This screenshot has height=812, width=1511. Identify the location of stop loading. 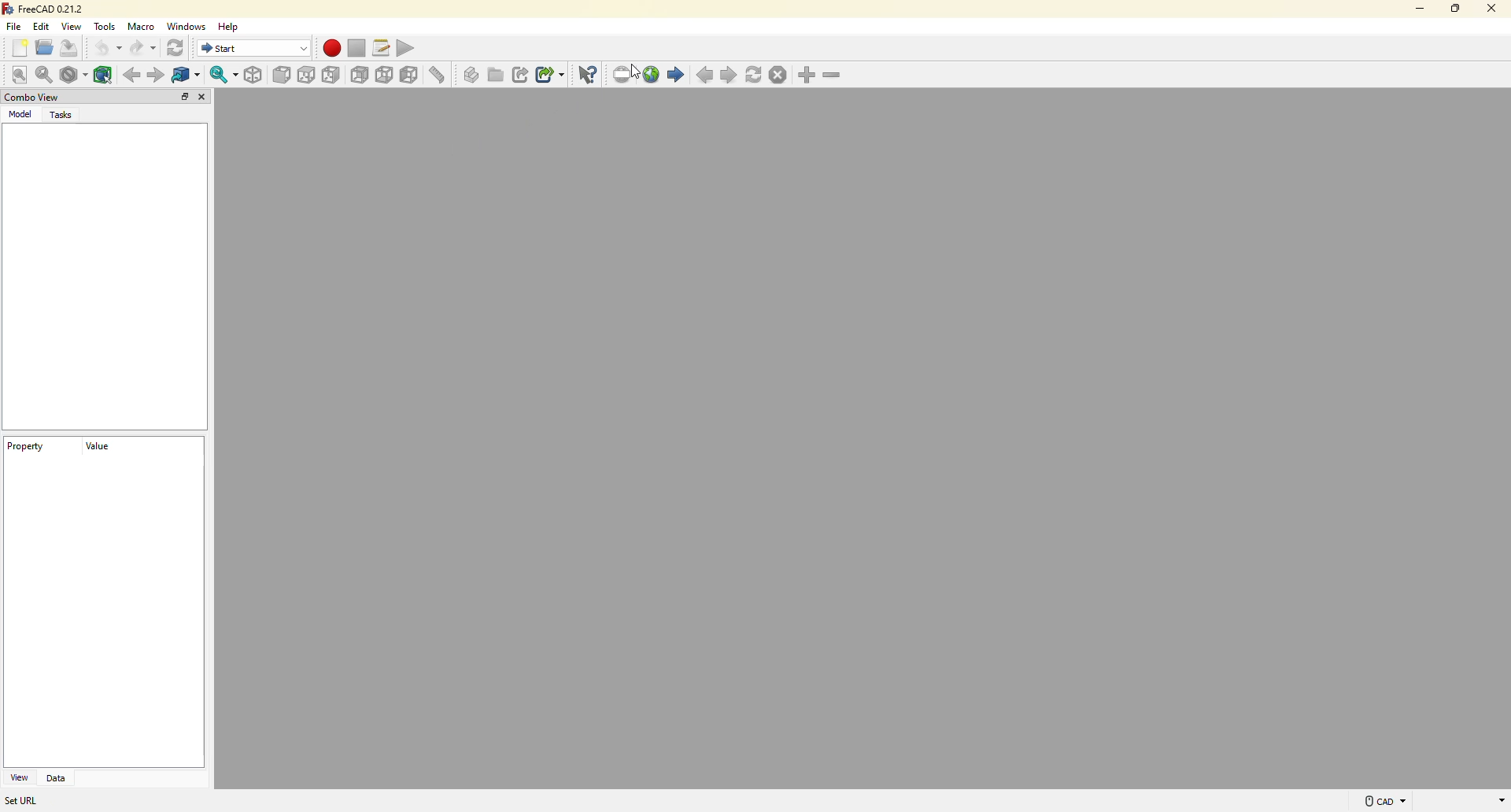
(777, 75).